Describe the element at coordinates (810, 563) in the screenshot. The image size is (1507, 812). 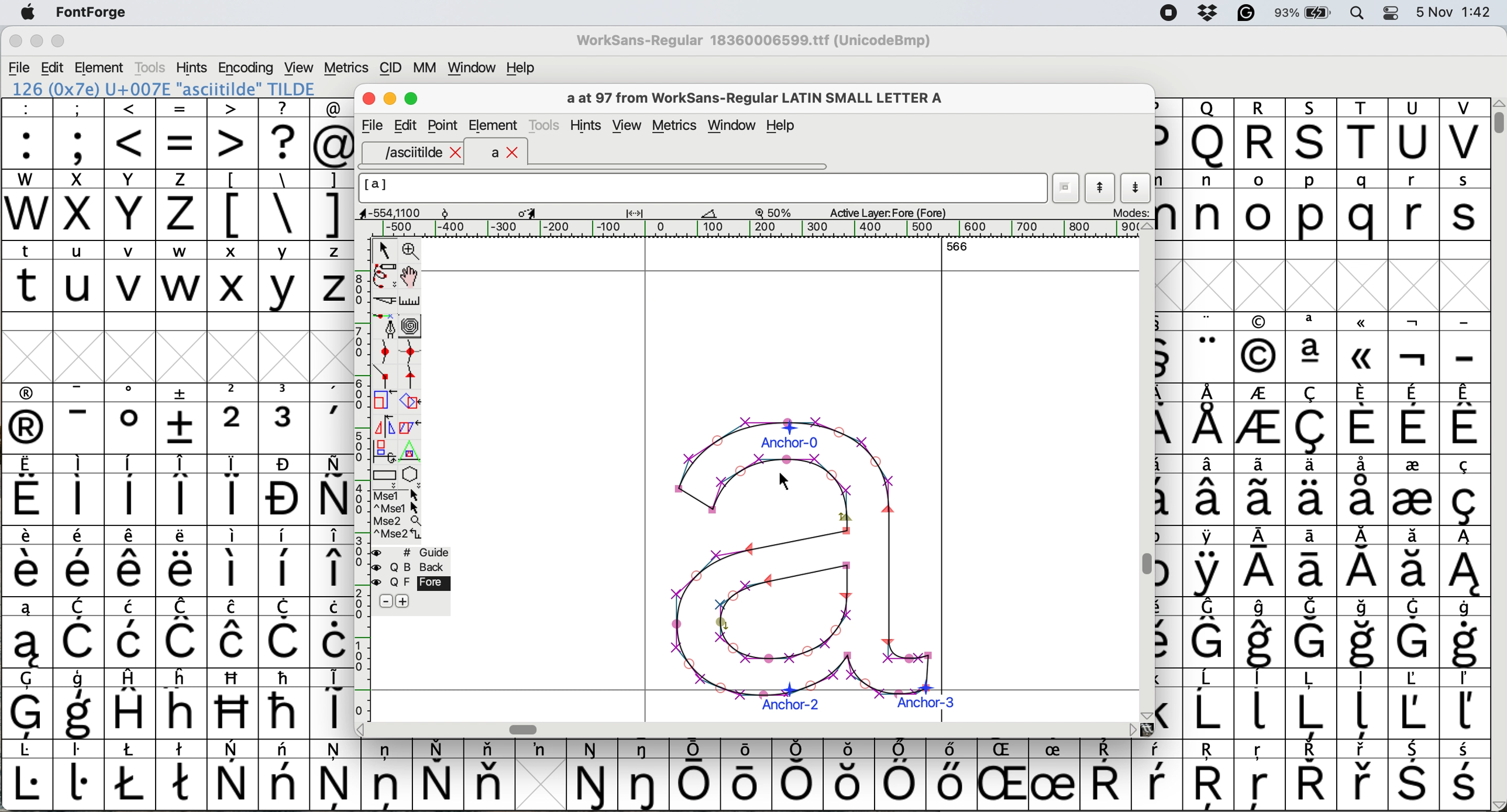
I see `a glyph` at that location.